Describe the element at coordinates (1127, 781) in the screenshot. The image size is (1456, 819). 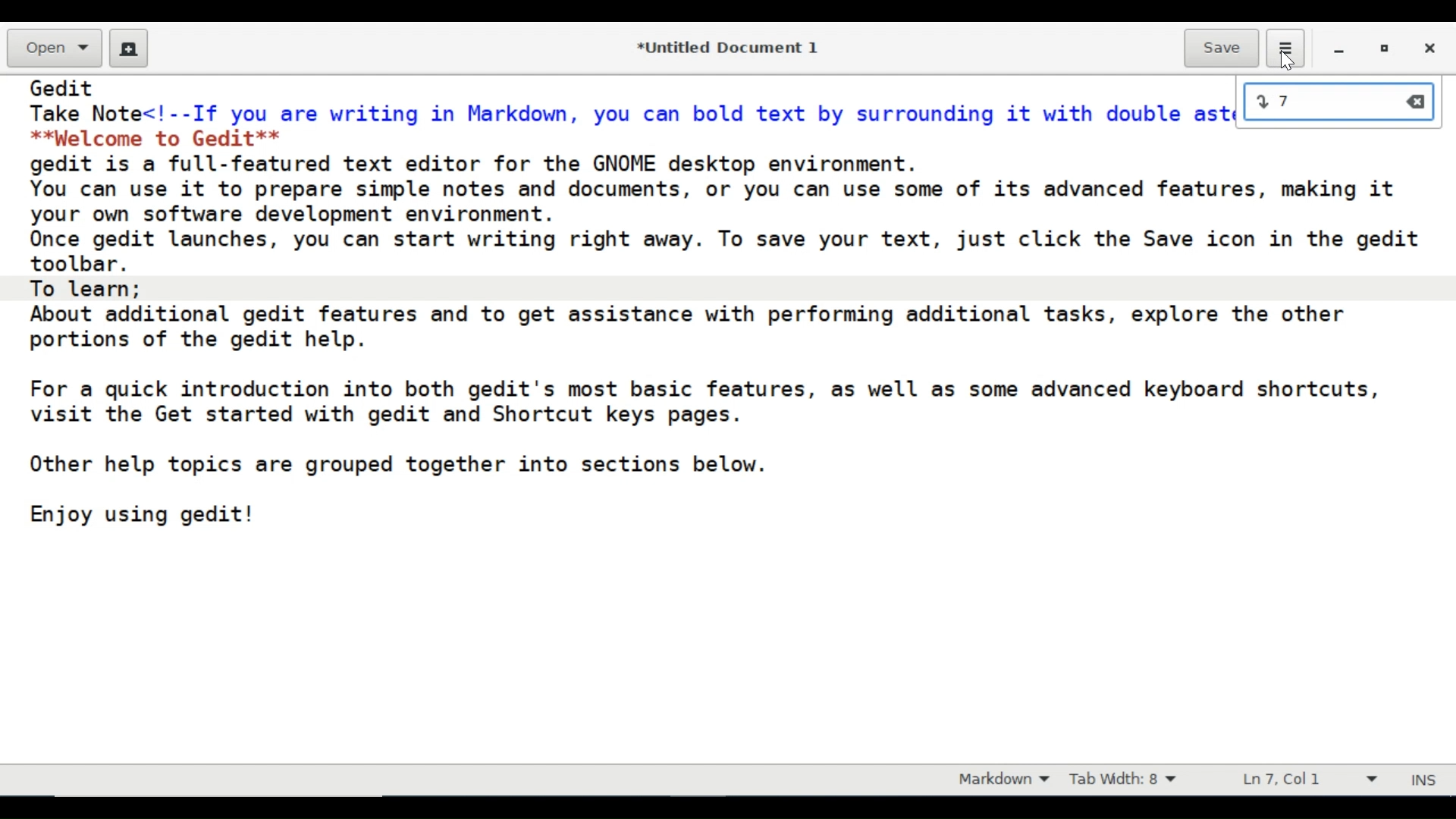
I see `Tab Width` at that location.